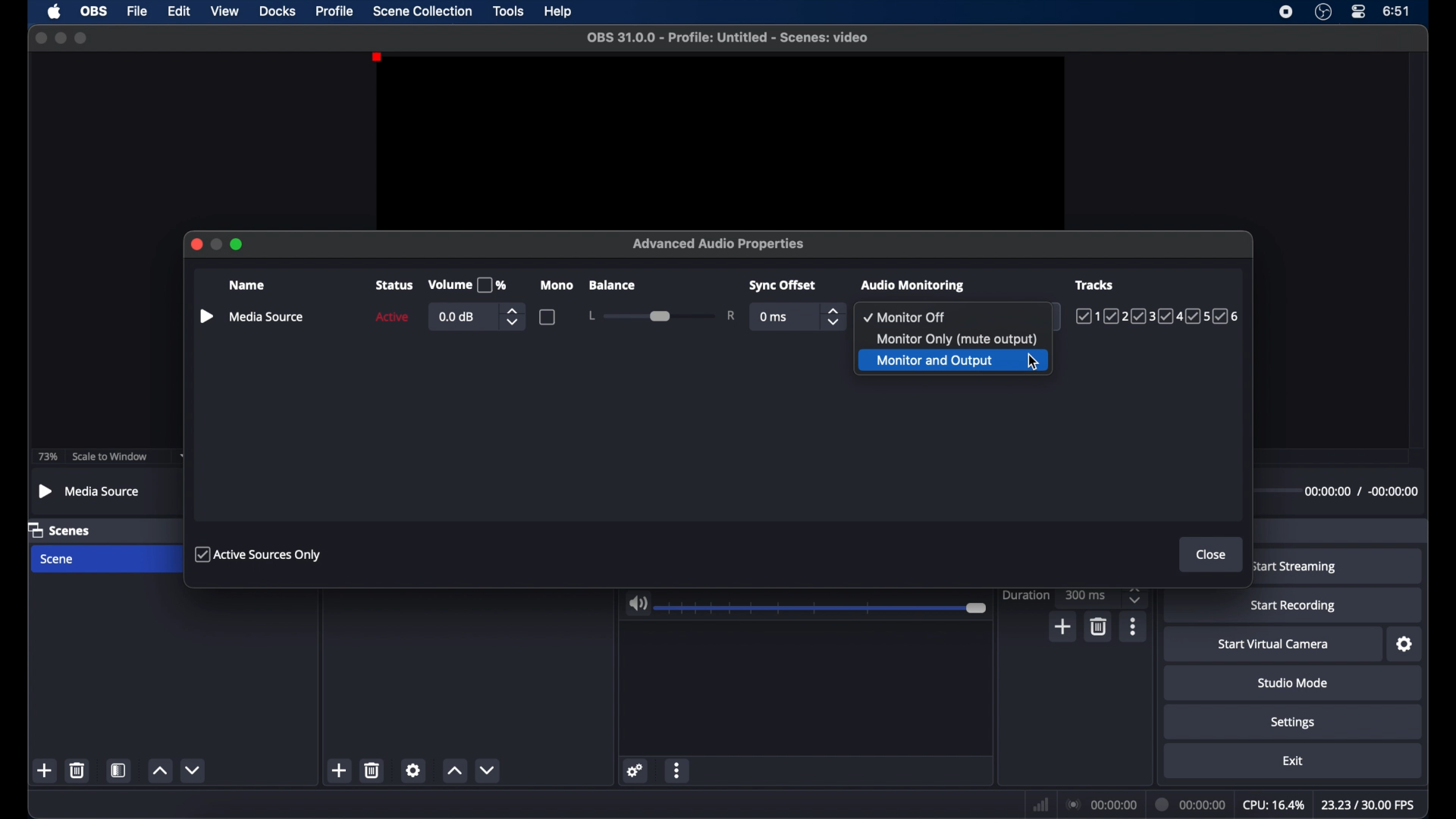 The image size is (1456, 819). Describe the element at coordinates (957, 340) in the screenshot. I see `monitor only (mute output)` at that location.